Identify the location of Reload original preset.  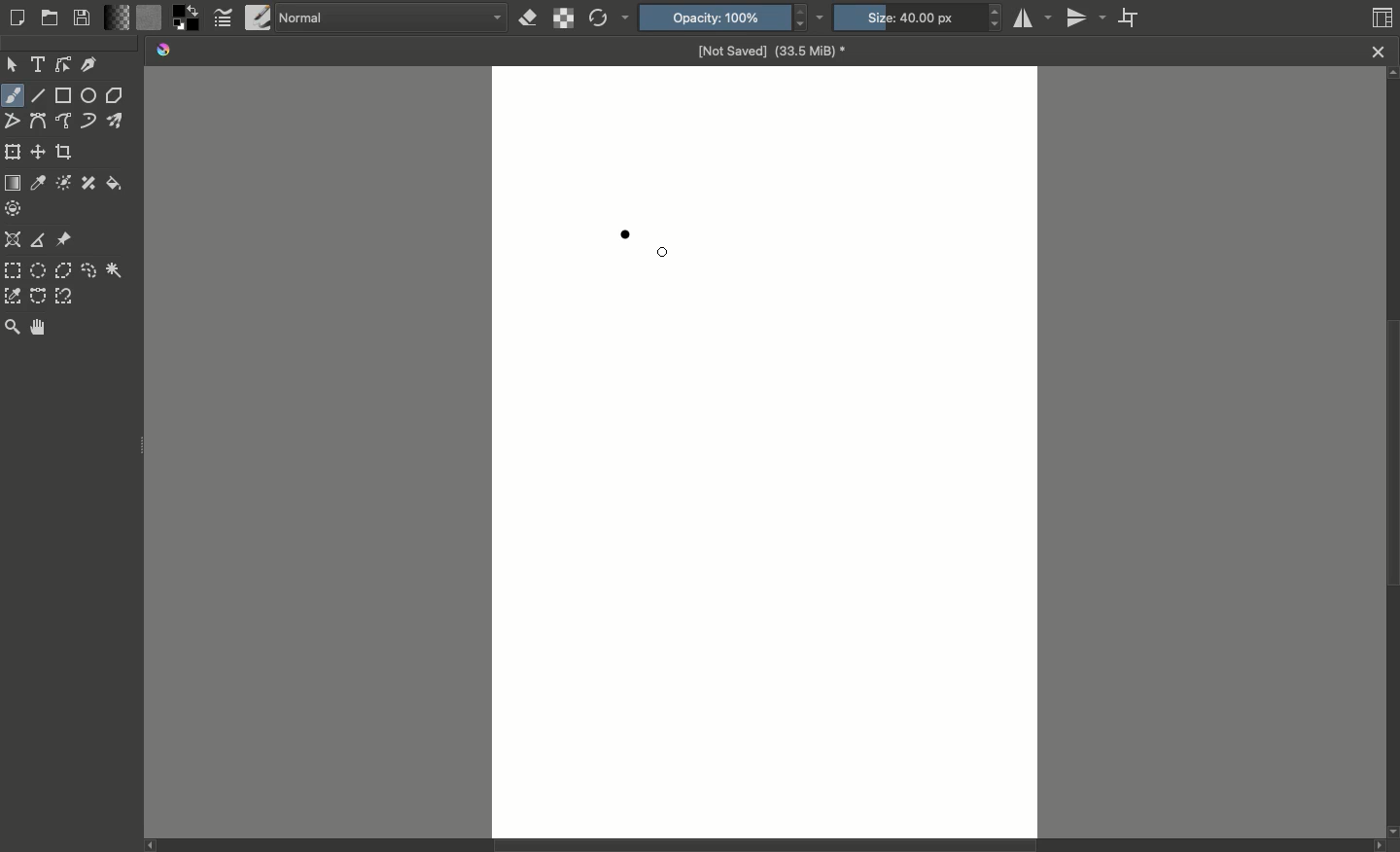
(610, 18).